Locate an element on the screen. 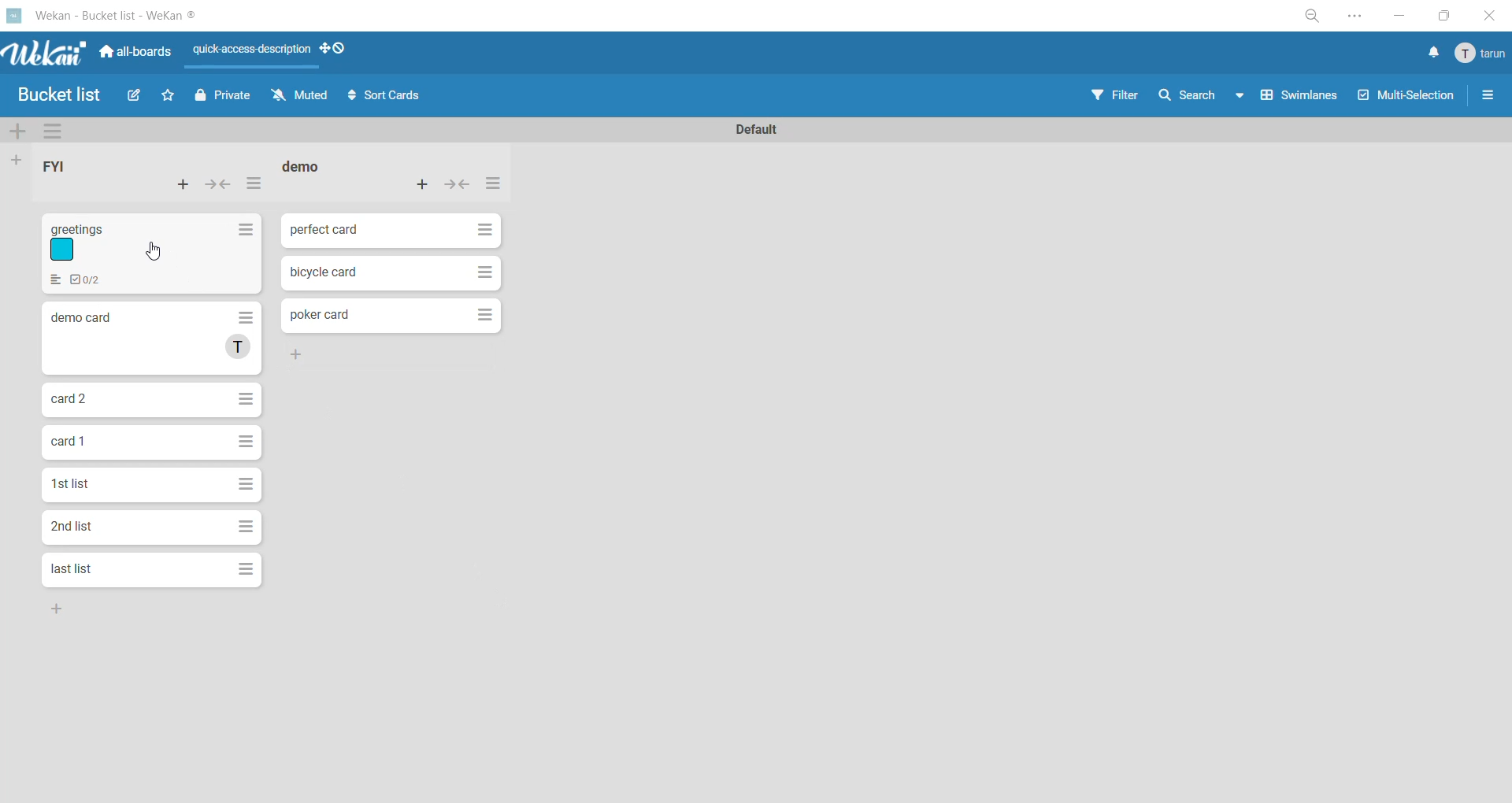 This screenshot has width=1512, height=803. edit is located at coordinates (135, 96).